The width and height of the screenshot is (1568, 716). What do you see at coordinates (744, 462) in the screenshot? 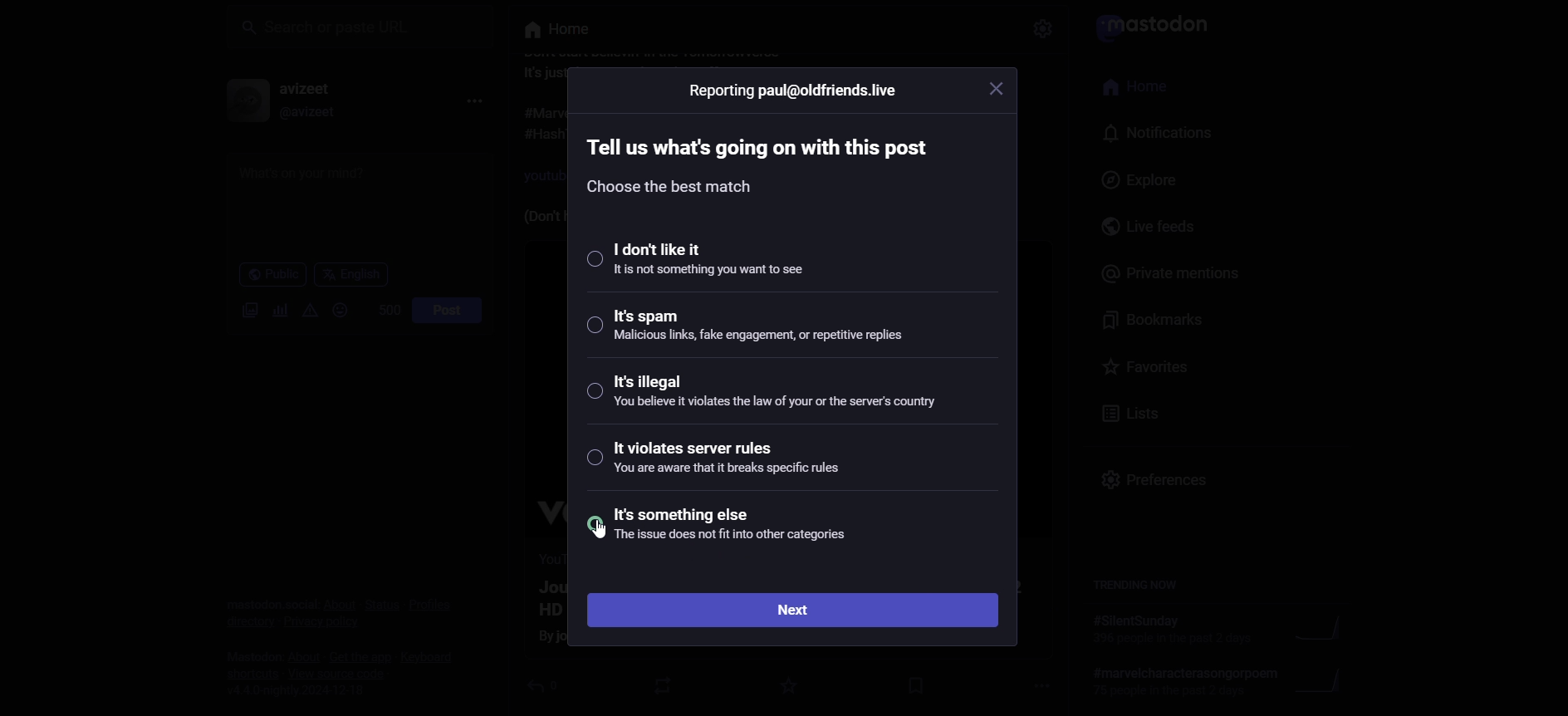
I see `it violates server rule` at bounding box center [744, 462].